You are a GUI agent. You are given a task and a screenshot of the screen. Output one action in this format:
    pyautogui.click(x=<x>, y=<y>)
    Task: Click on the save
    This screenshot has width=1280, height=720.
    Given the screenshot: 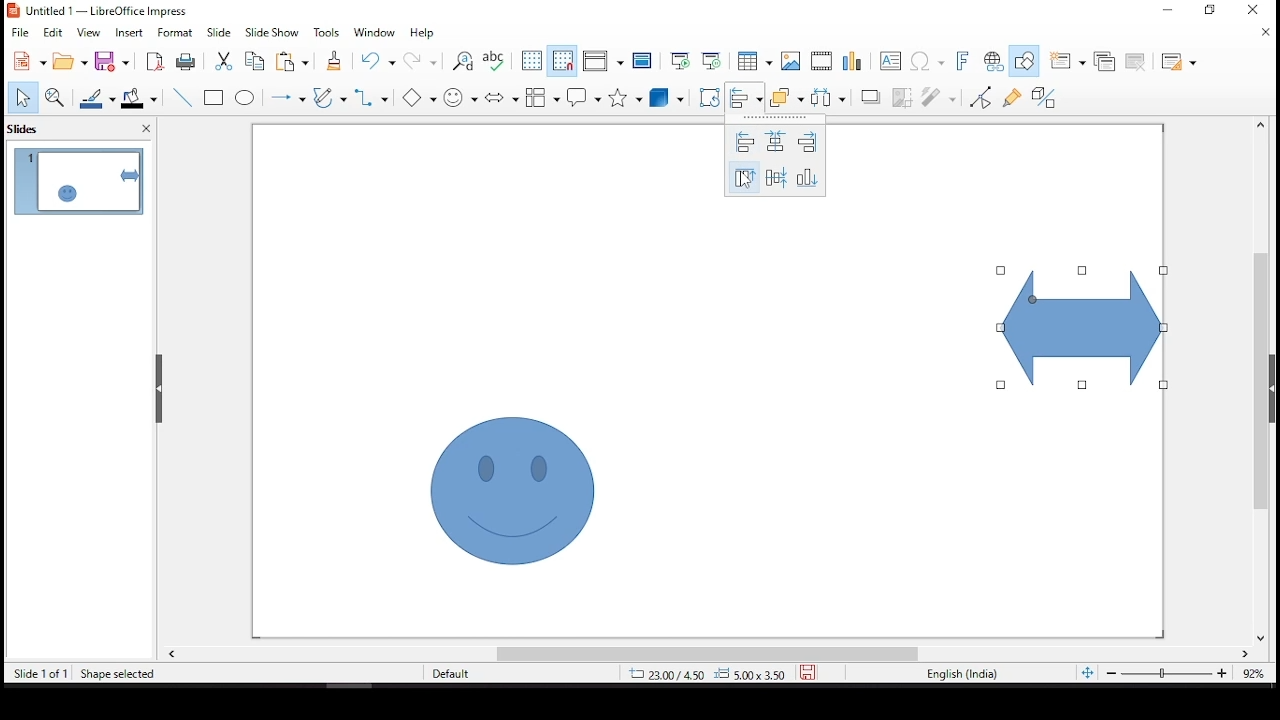 What is the action you would take?
    pyautogui.click(x=808, y=670)
    